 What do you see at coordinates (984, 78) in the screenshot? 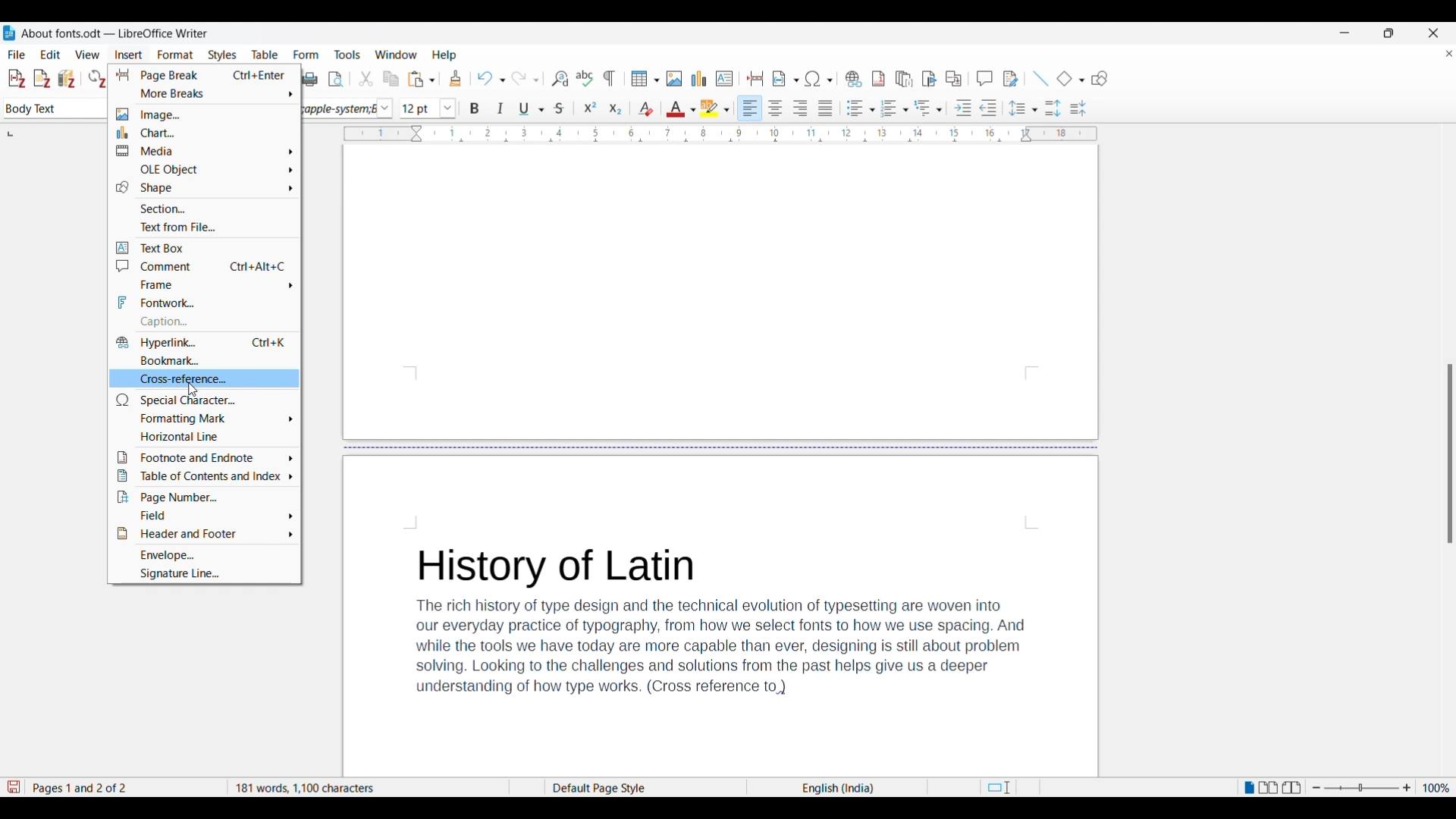
I see `Insert comment` at bounding box center [984, 78].